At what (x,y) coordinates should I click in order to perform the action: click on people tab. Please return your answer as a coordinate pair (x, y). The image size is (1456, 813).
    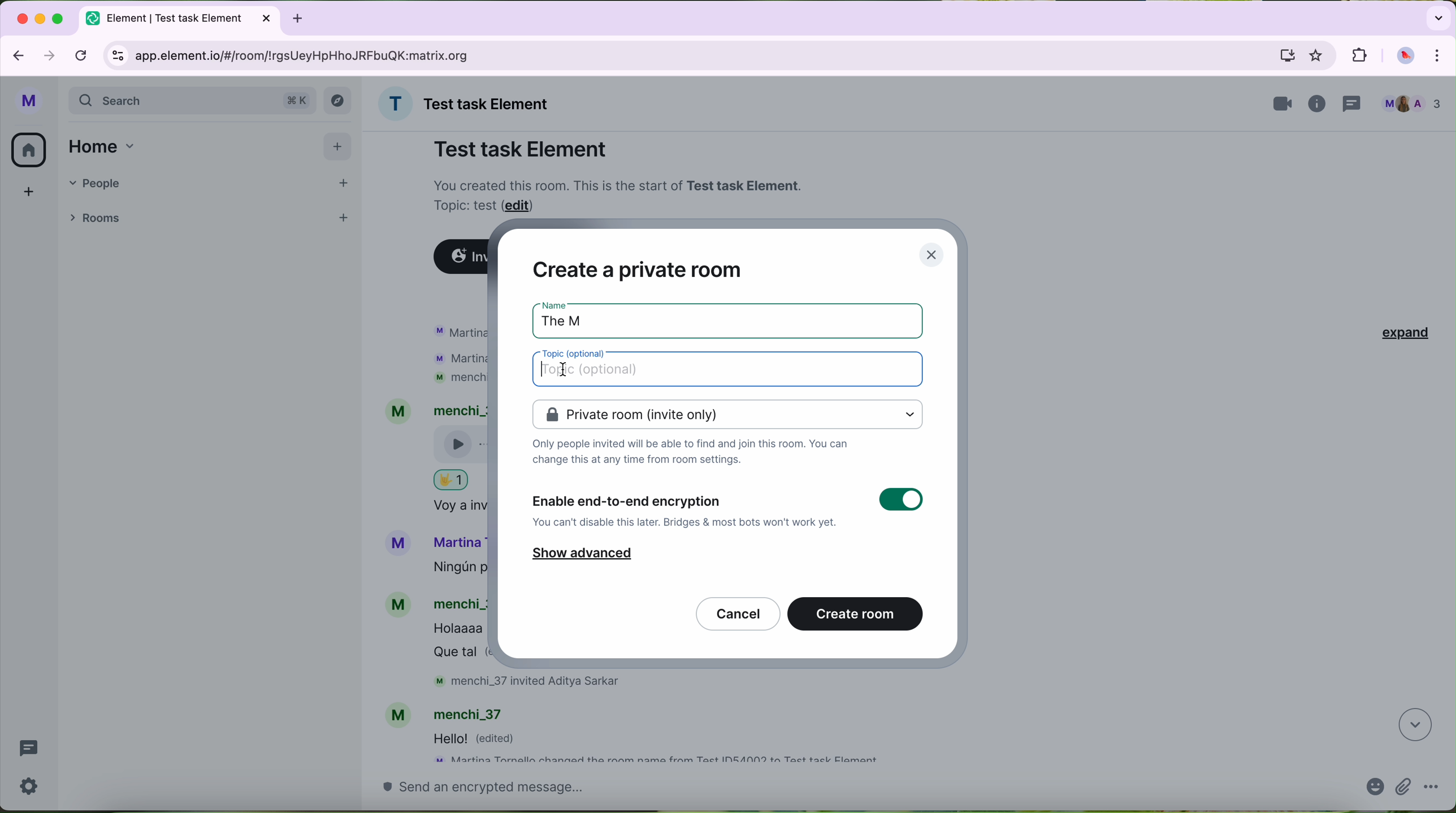
    Looking at the image, I should click on (211, 182).